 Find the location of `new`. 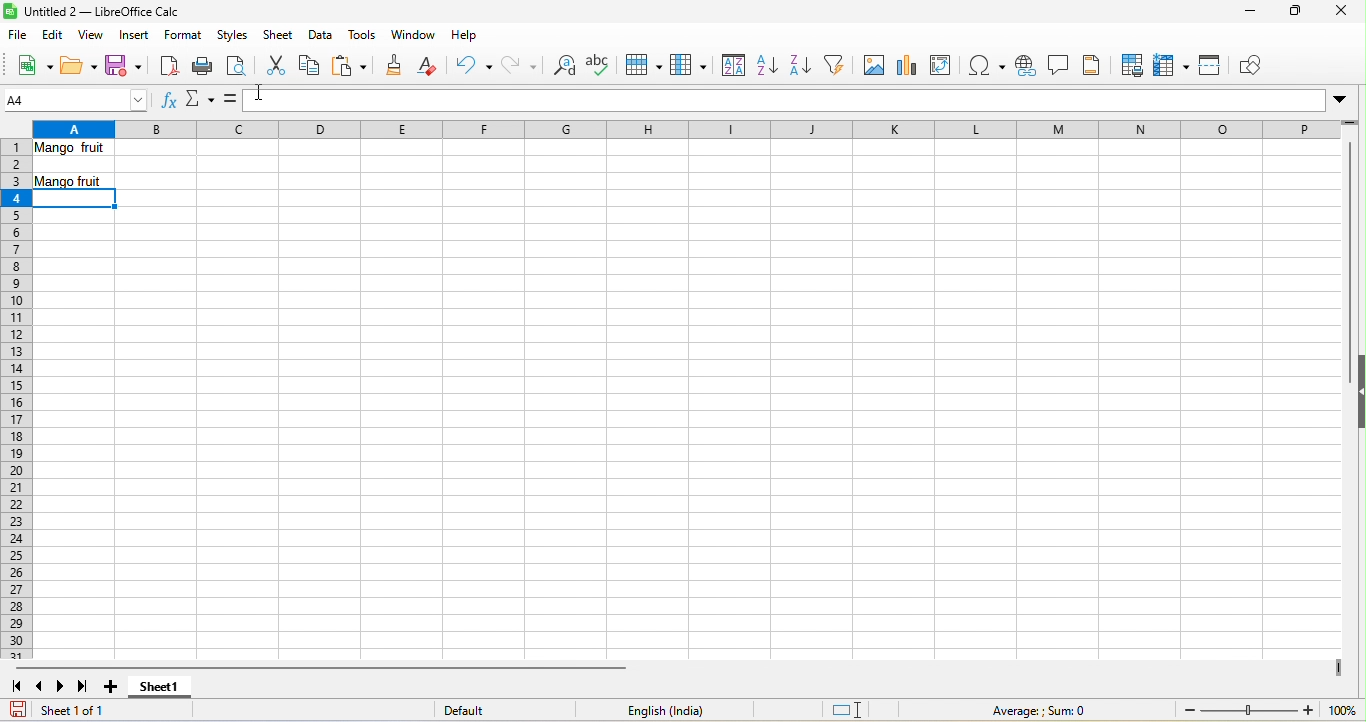

new is located at coordinates (31, 65).